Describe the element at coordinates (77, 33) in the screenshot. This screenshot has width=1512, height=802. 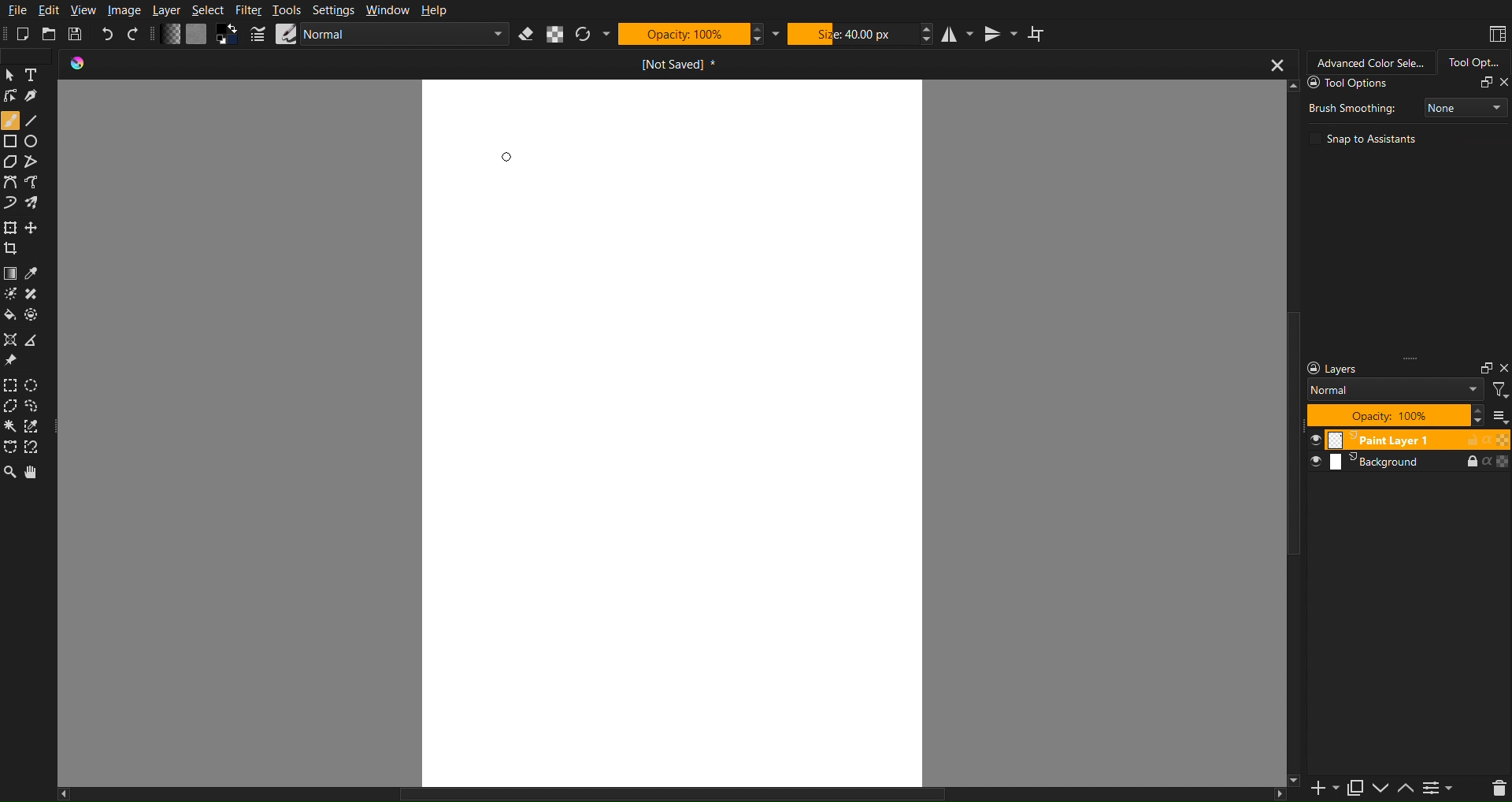
I see `Save` at that location.